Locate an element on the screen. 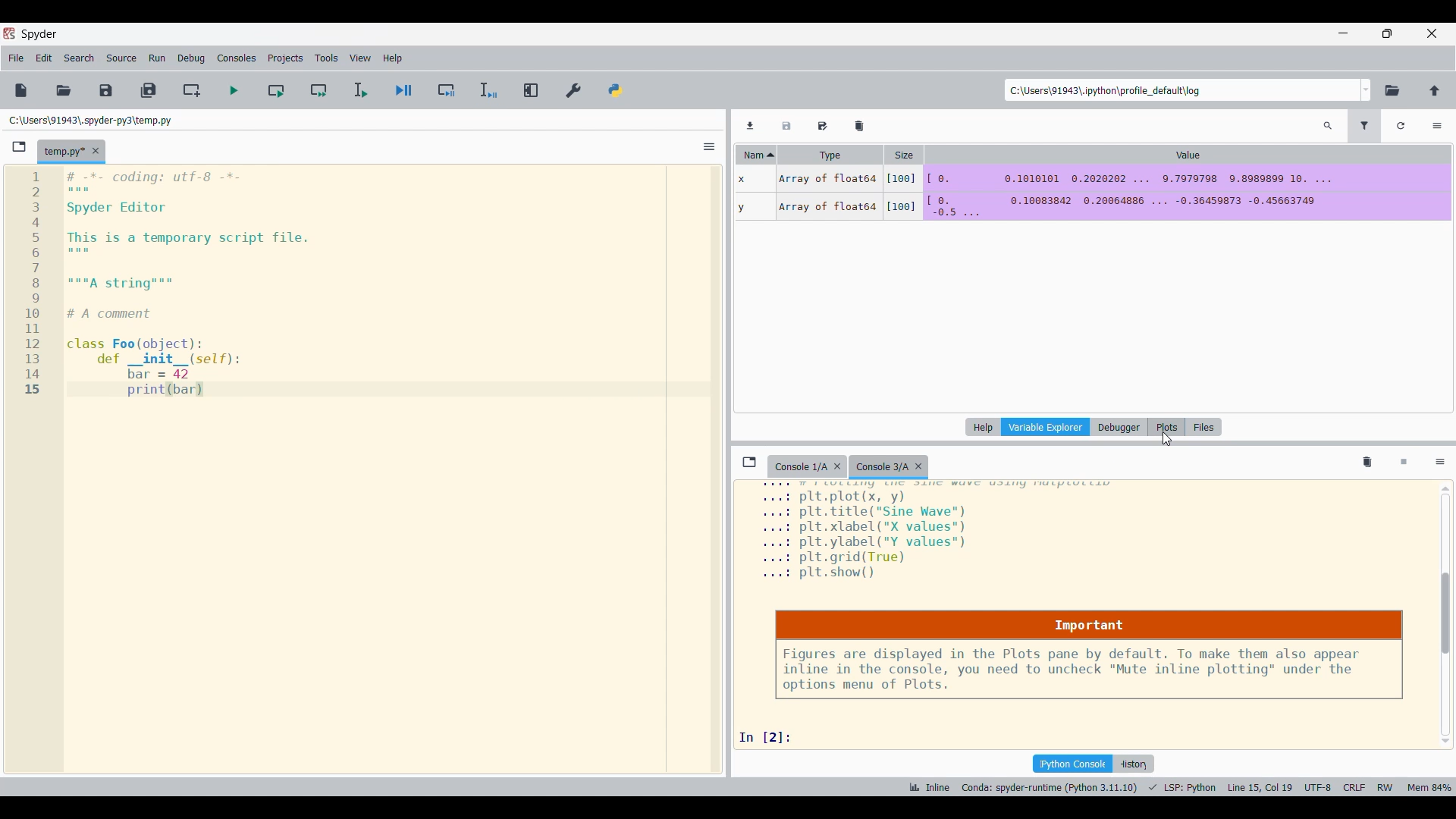 The image size is (1456, 819). Close tab is located at coordinates (96, 151).